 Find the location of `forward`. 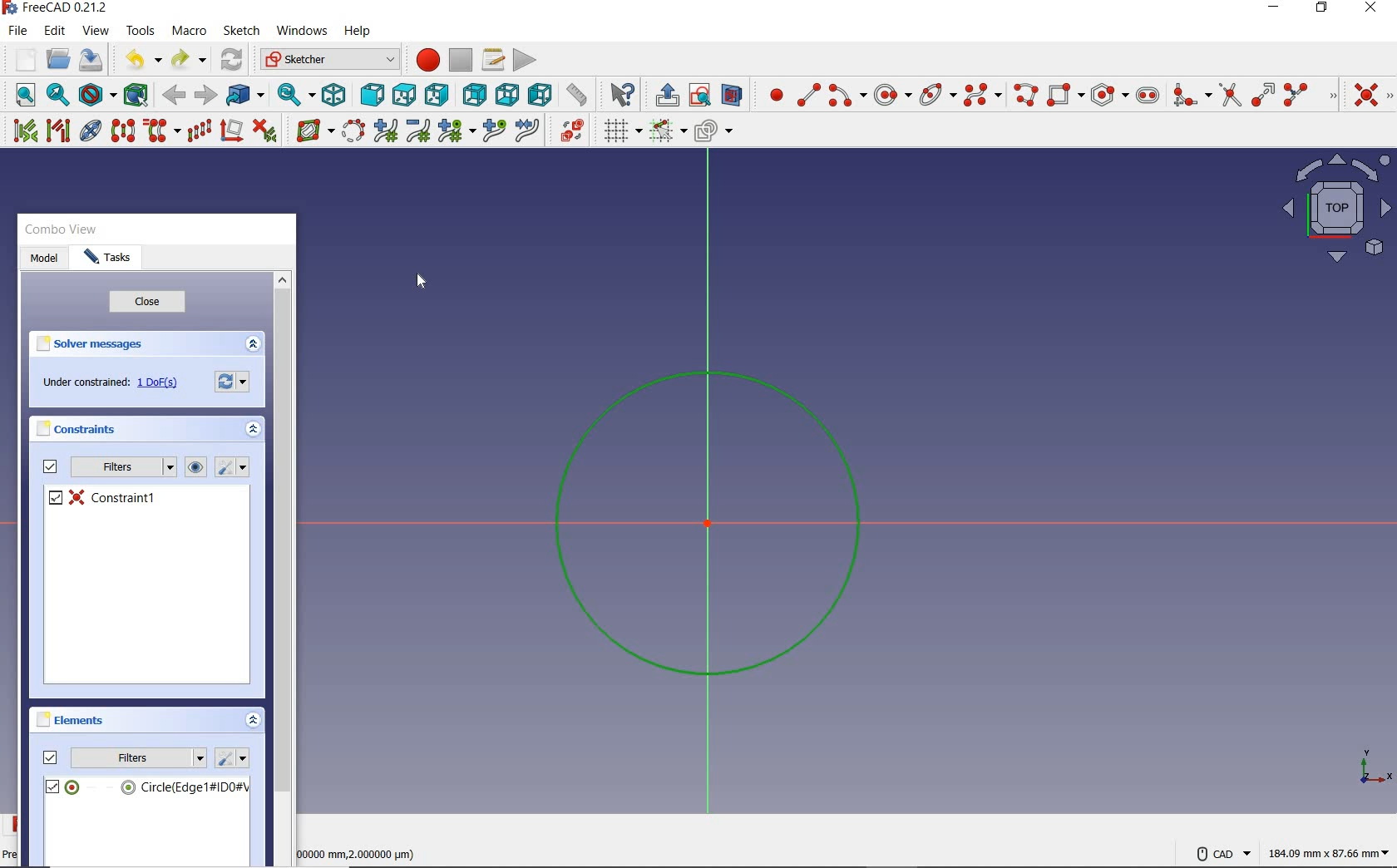

forward is located at coordinates (206, 96).